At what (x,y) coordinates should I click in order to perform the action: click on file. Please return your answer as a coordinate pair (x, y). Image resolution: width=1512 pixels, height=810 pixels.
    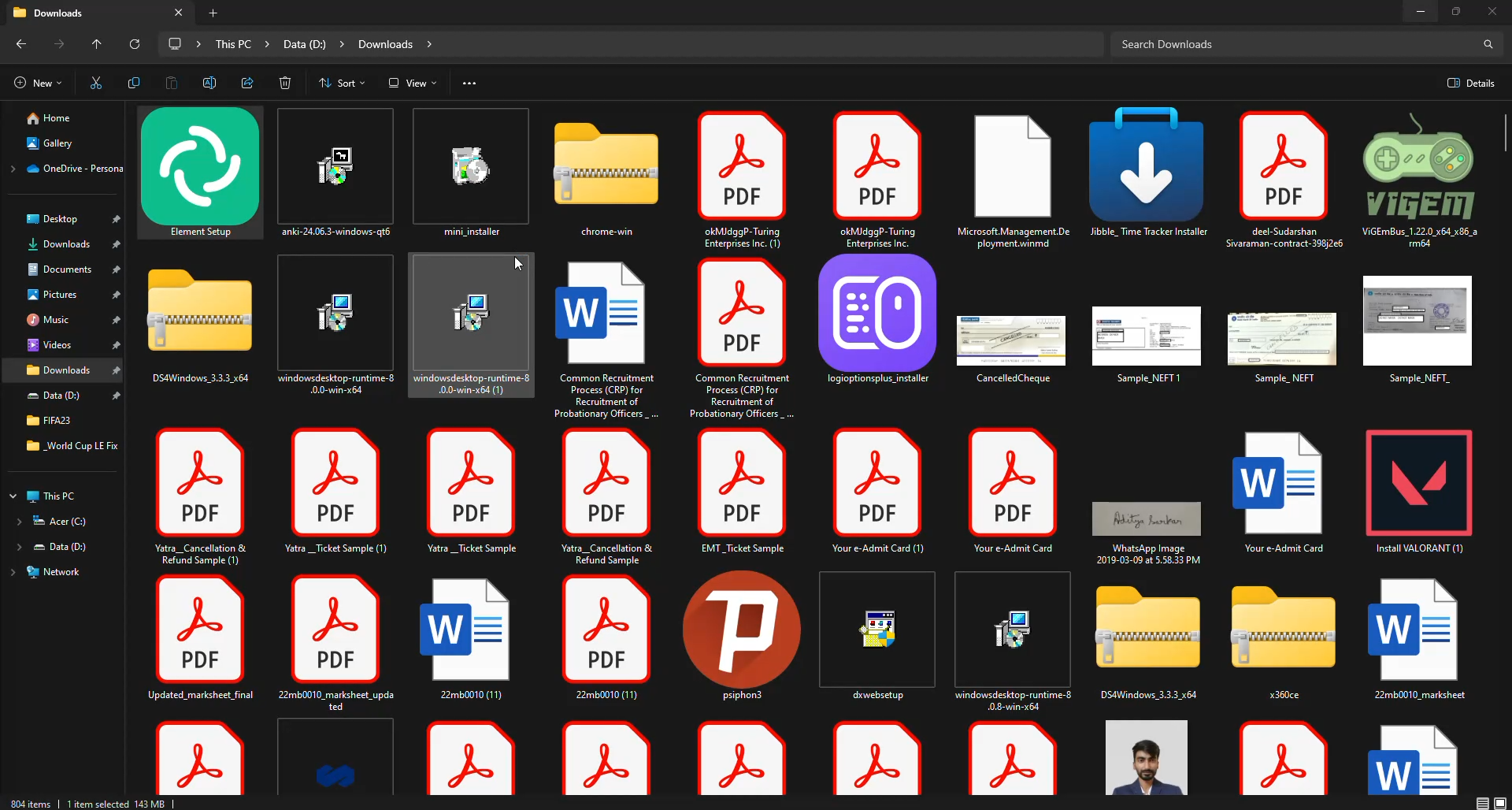
    Looking at the image, I should click on (743, 182).